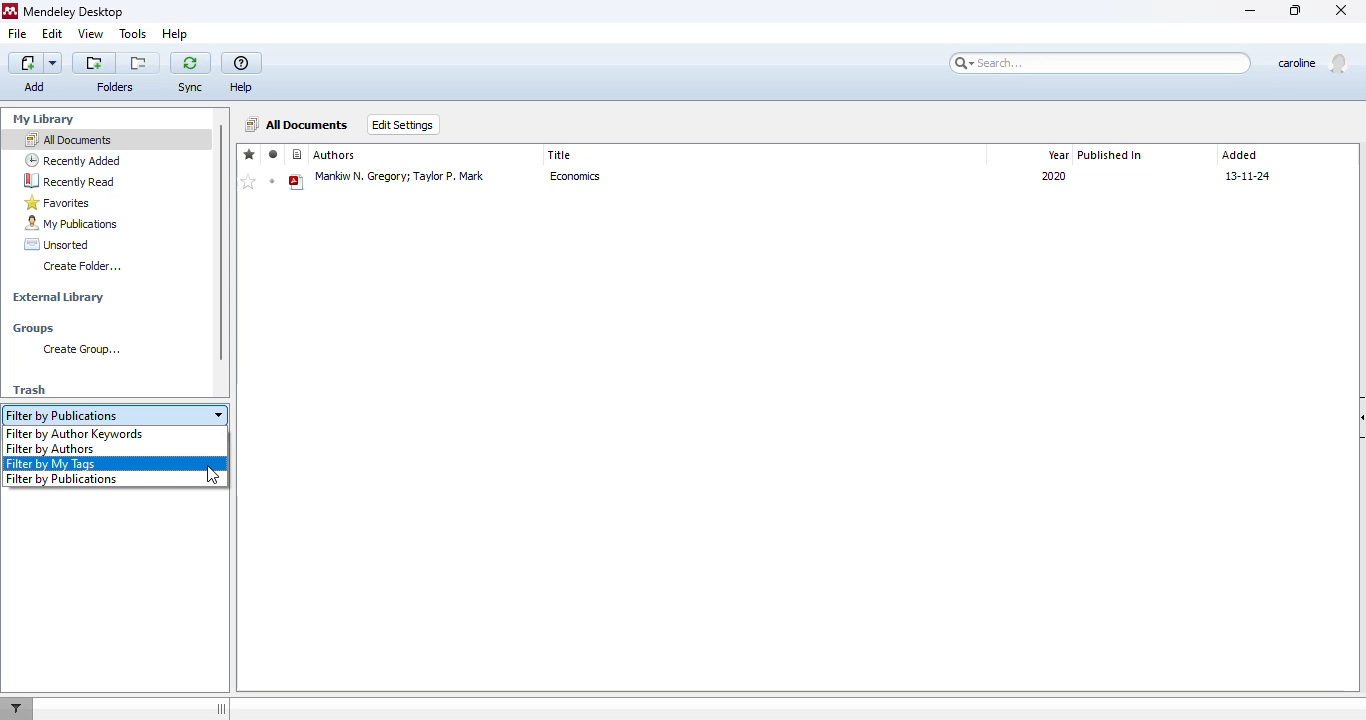 The height and width of the screenshot is (720, 1366). What do you see at coordinates (190, 63) in the screenshot?
I see `sync` at bounding box center [190, 63].